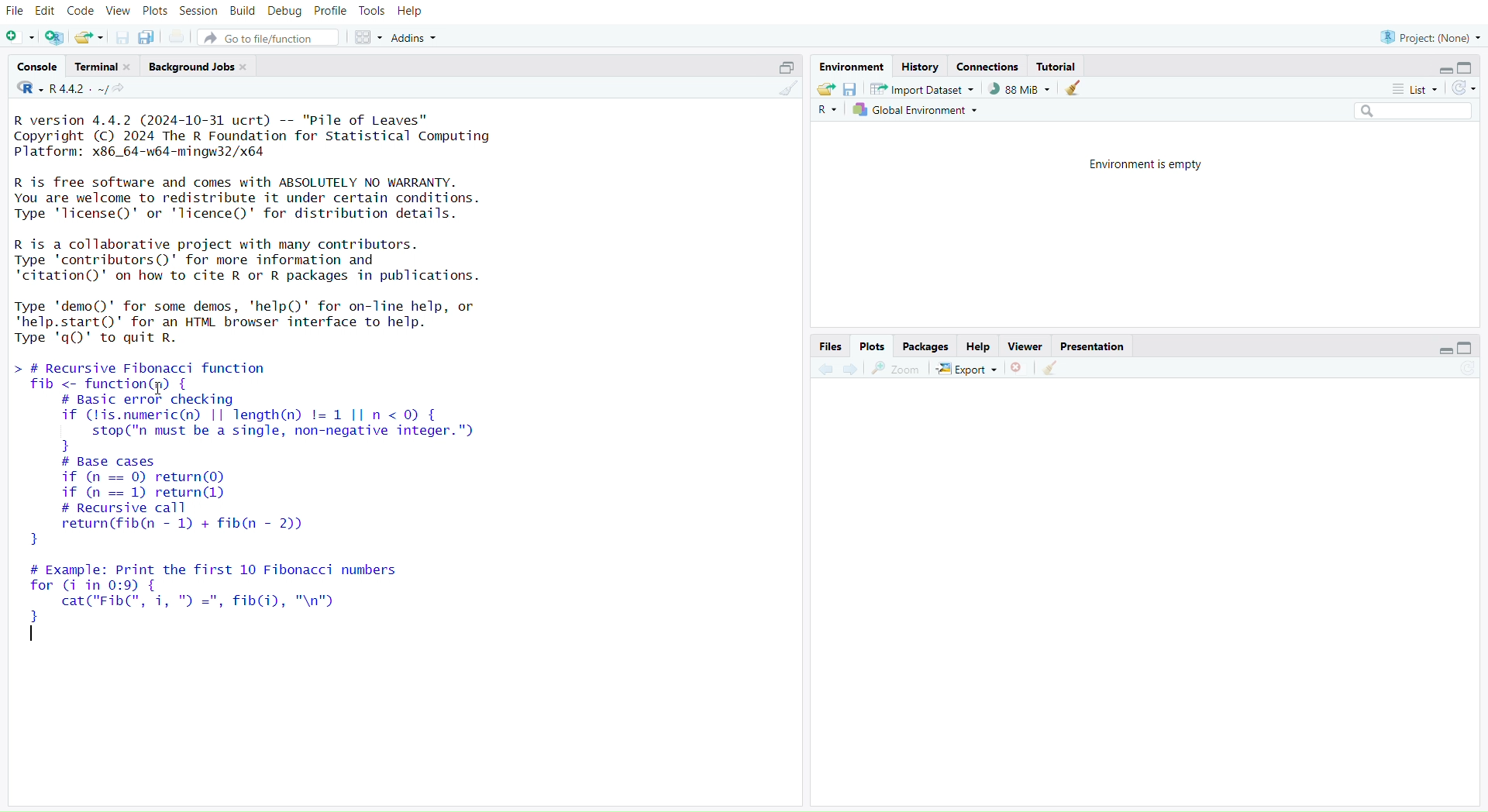 Image resolution: width=1488 pixels, height=812 pixels. Describe the element at coordinates (88, 39) in the screenshot. I see `open an existing file` at that location.